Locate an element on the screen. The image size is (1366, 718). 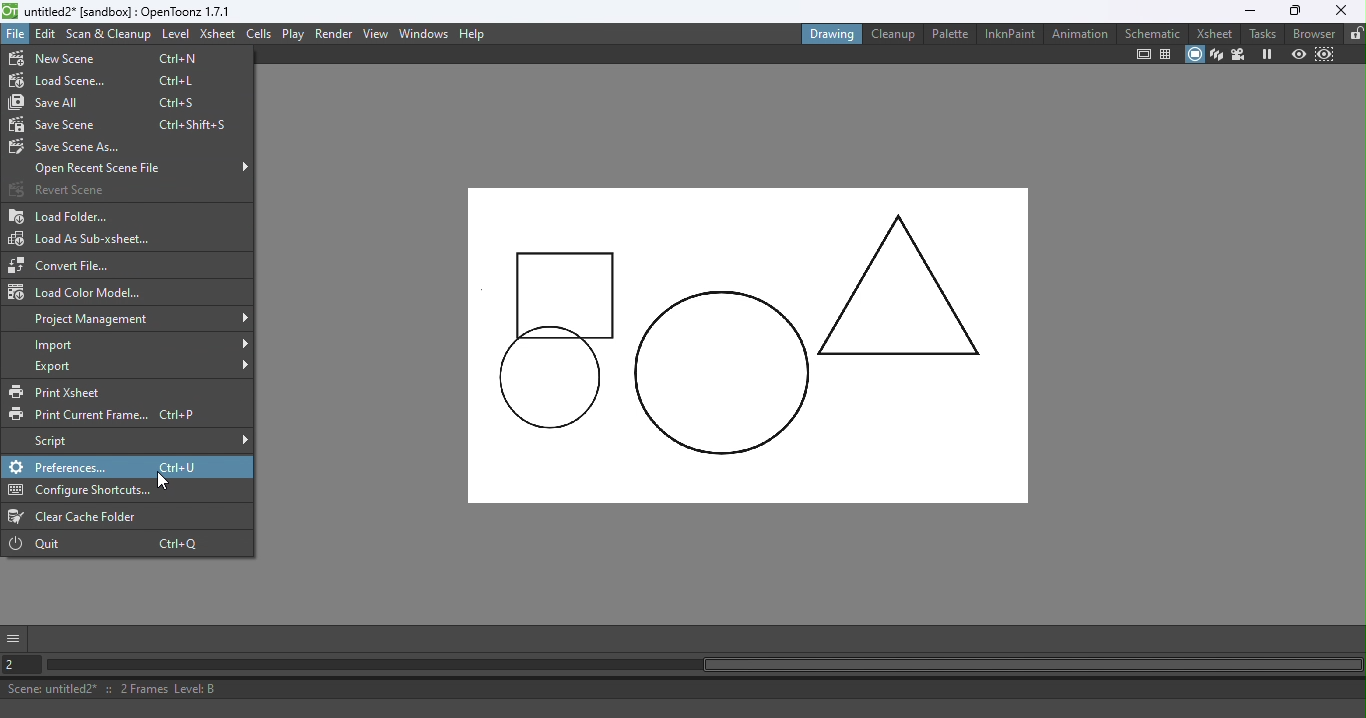
File is located at coordinates (15, 33).